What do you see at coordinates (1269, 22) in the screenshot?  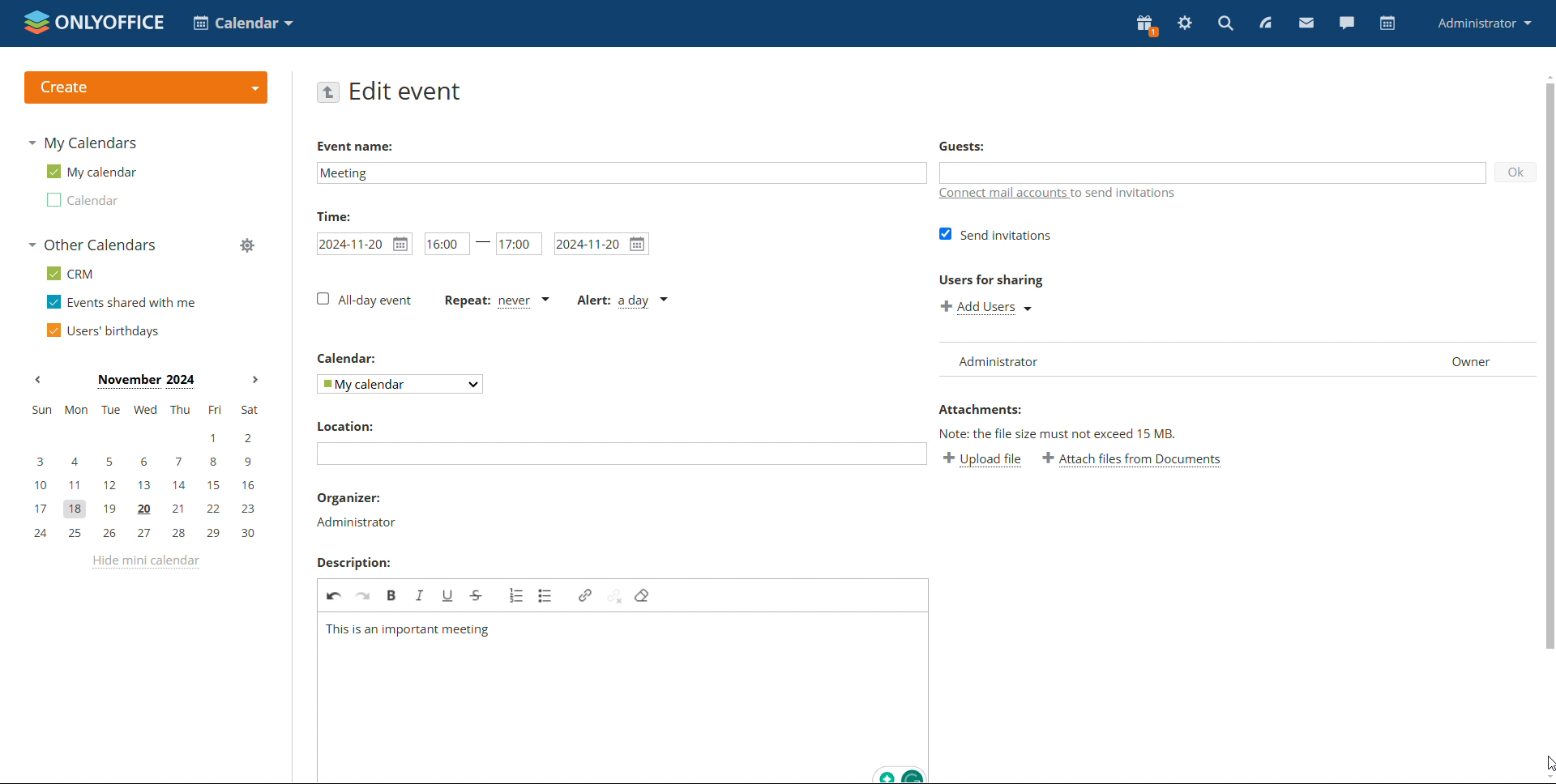 I see `feed` at bounding box center [1269, 22].